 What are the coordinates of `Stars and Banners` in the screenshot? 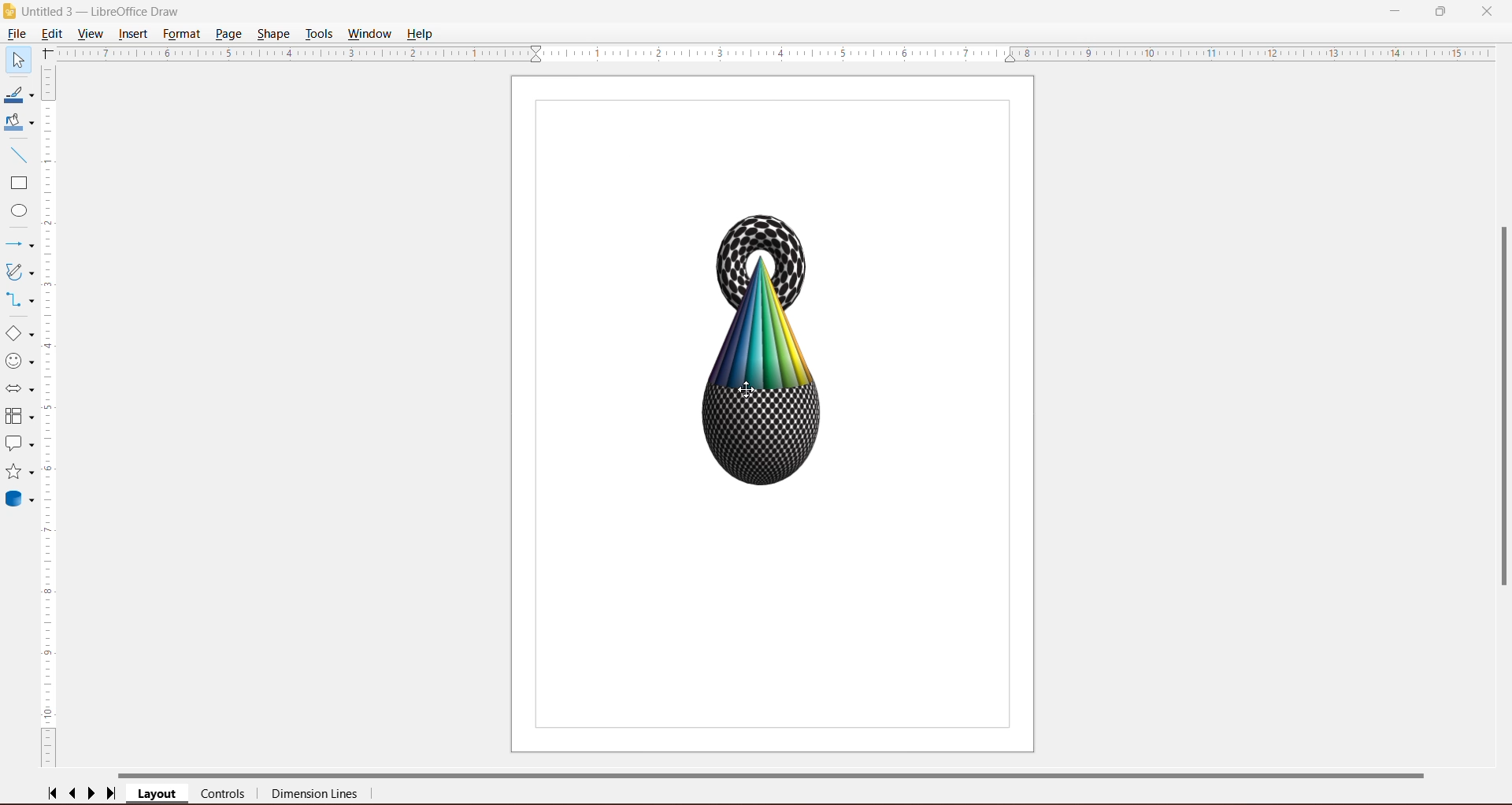 It's located at (20, 472).